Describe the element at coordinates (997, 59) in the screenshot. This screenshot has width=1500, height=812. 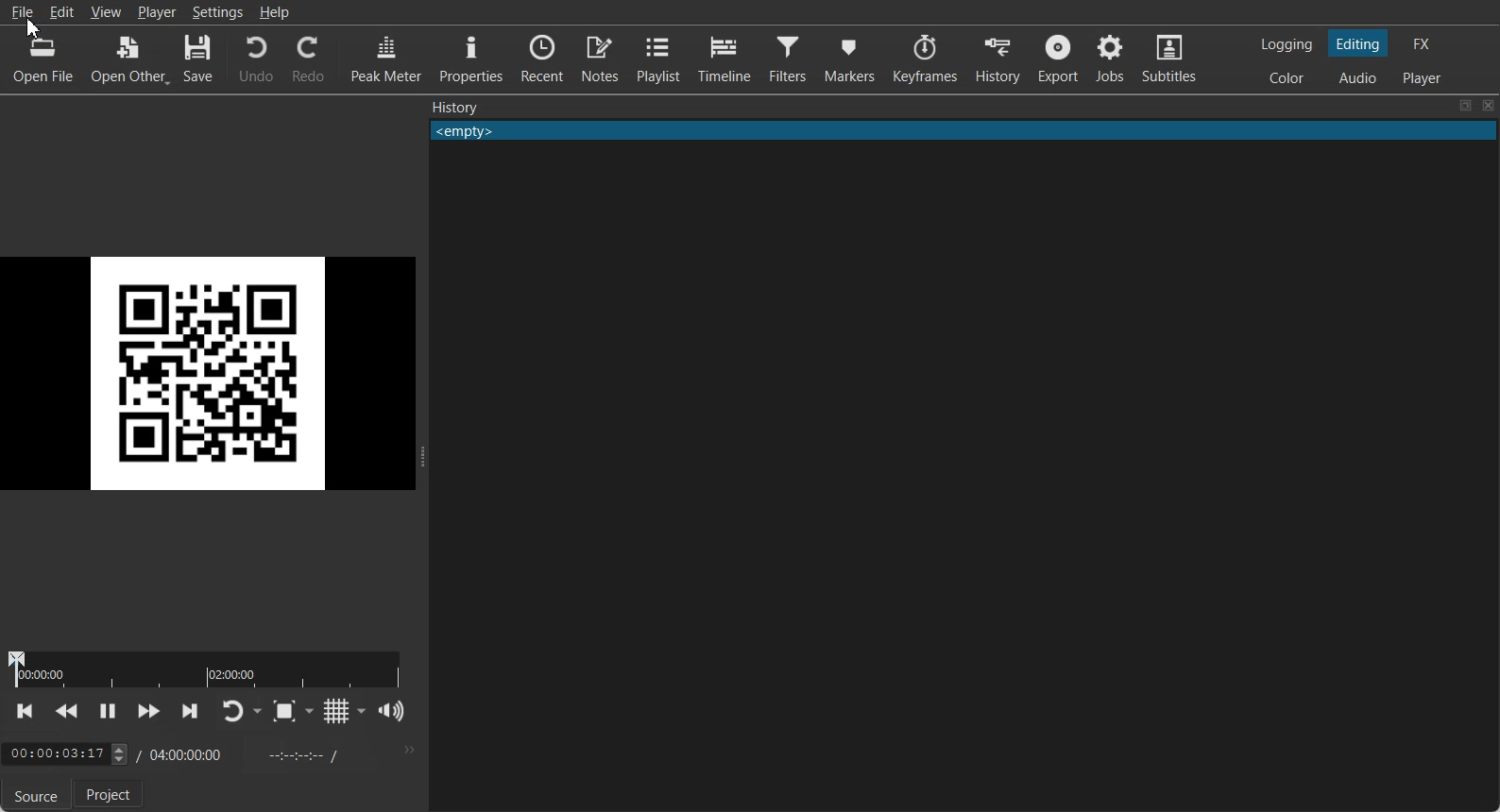
I see `History` at that location.